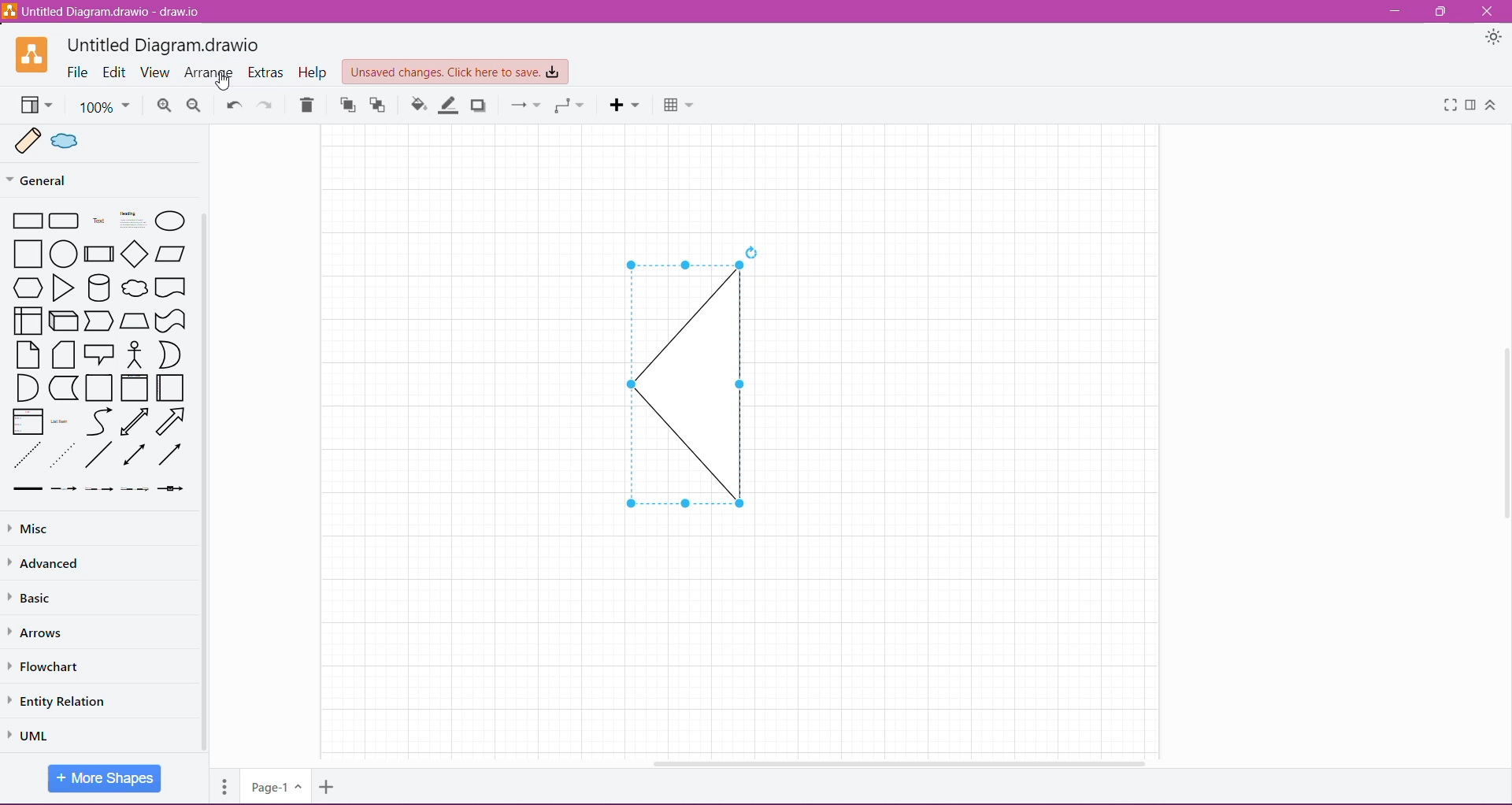 This screenshot has height=805, width=1512. What do you see at coordinates (1470, 106) in the screenshot?
I see `Format` at bounding box center [1470, 106].